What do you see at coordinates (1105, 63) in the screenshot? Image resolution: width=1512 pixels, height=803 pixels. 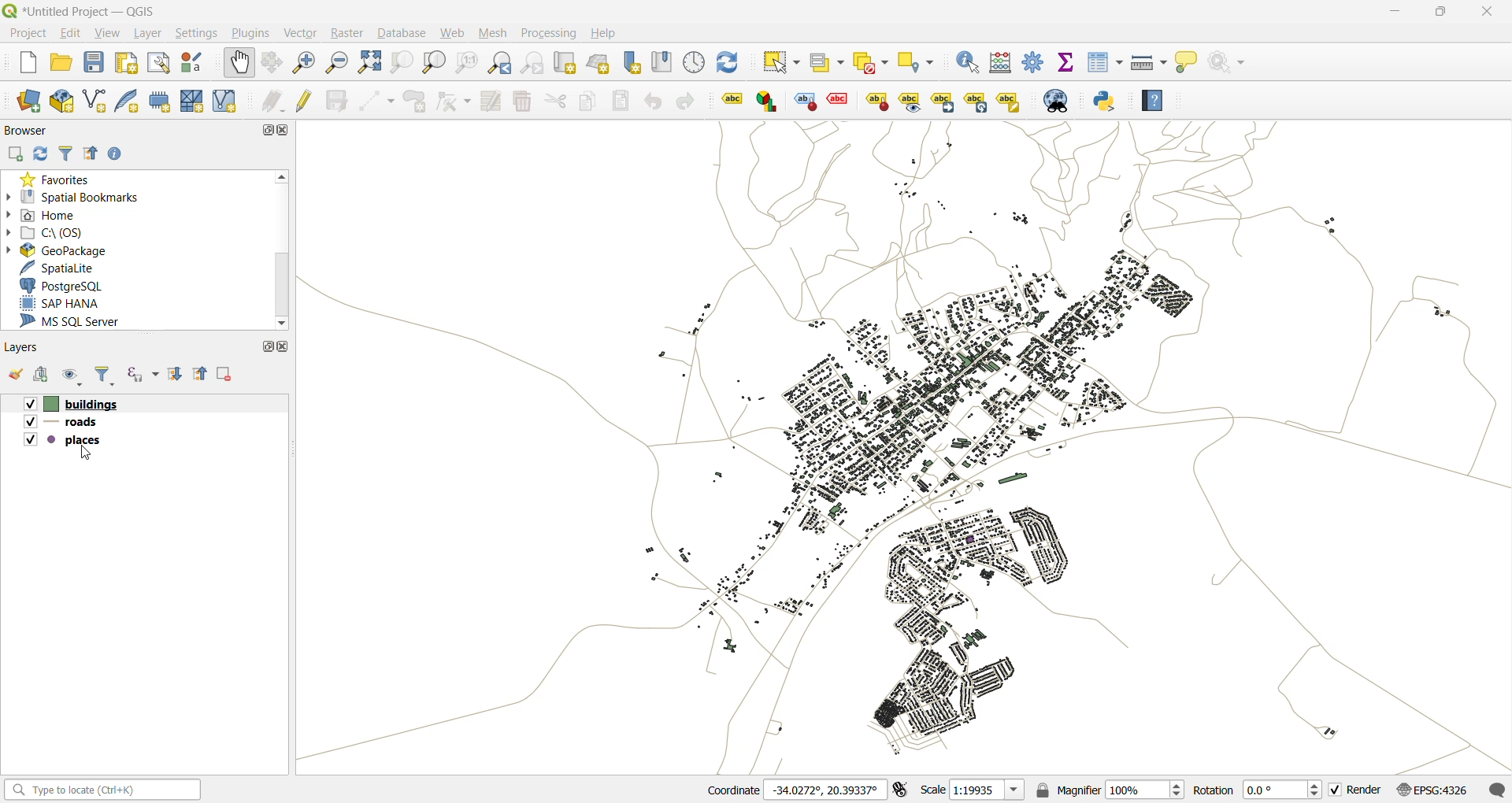 I see `attributes table` at bounding box center [1105, 63].